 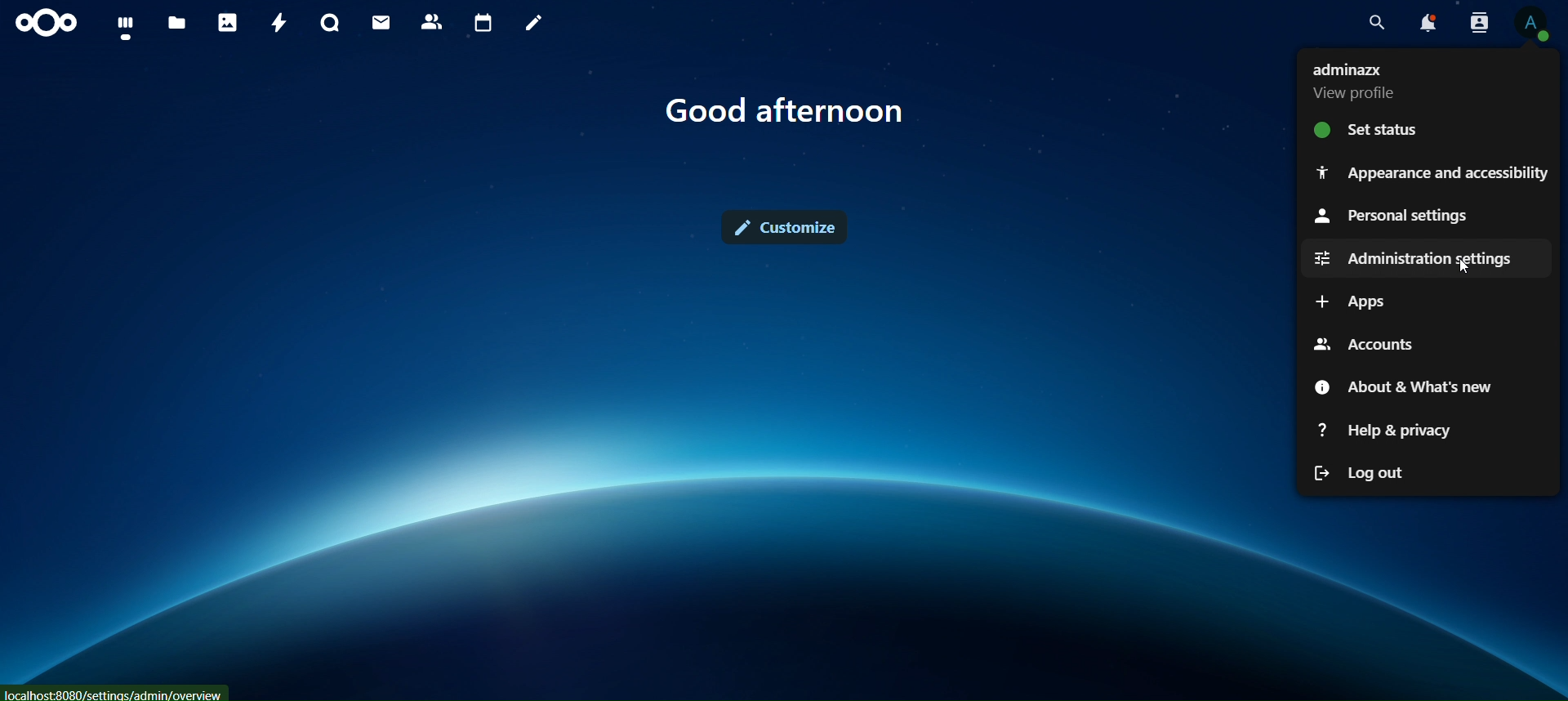 What do you see at coordinates (381, 24) in the screenshot?
I see `mail` at bounding box center [381, 24].